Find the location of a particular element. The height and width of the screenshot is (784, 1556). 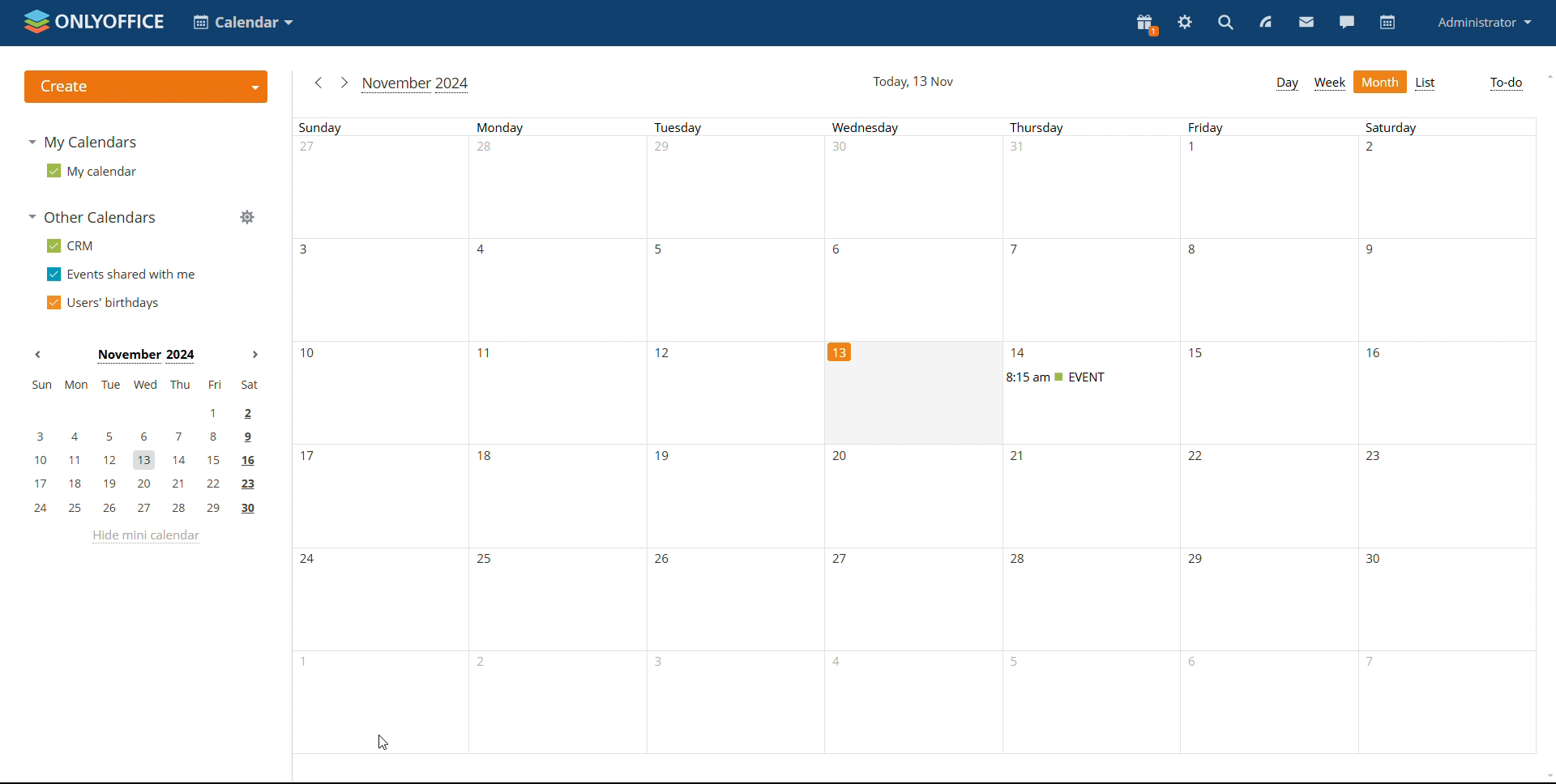

cursor is located at coordinates (382, 744).